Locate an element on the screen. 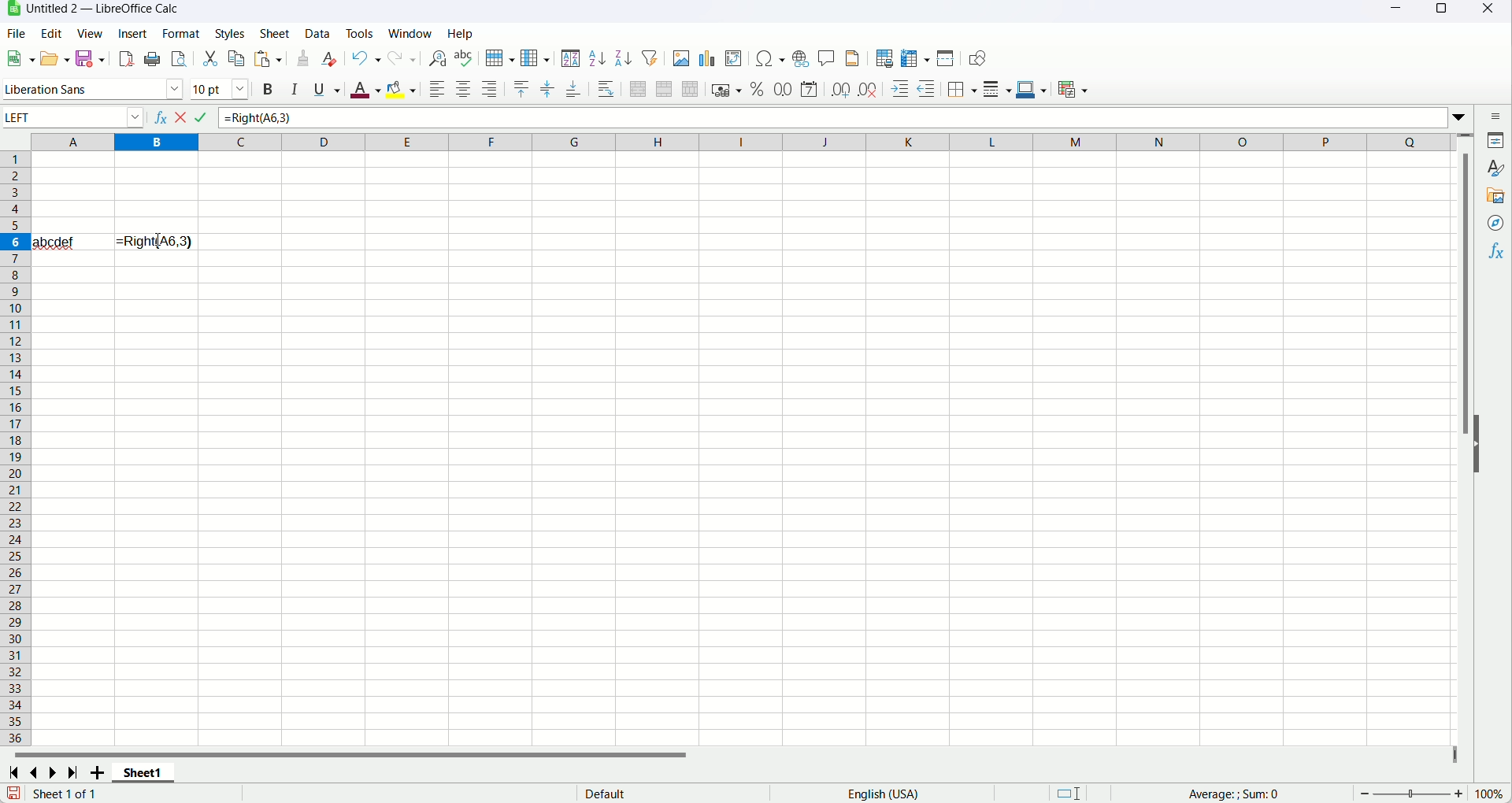 This screenshot has width=1512, height=803. align right is located at coordinates (489, 89).